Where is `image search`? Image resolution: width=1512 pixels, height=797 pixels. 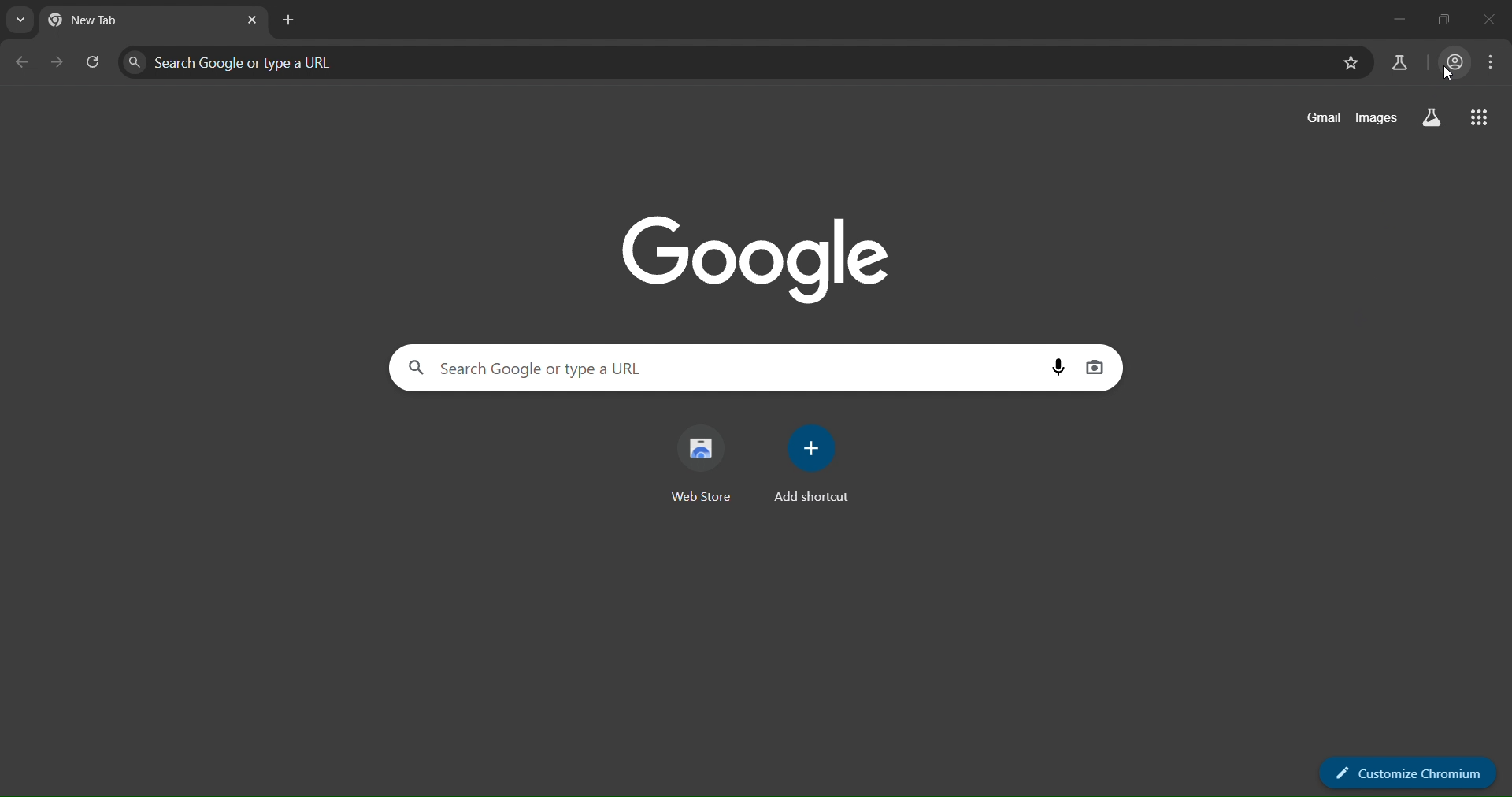 image search is located at coordinates (1096, 371).